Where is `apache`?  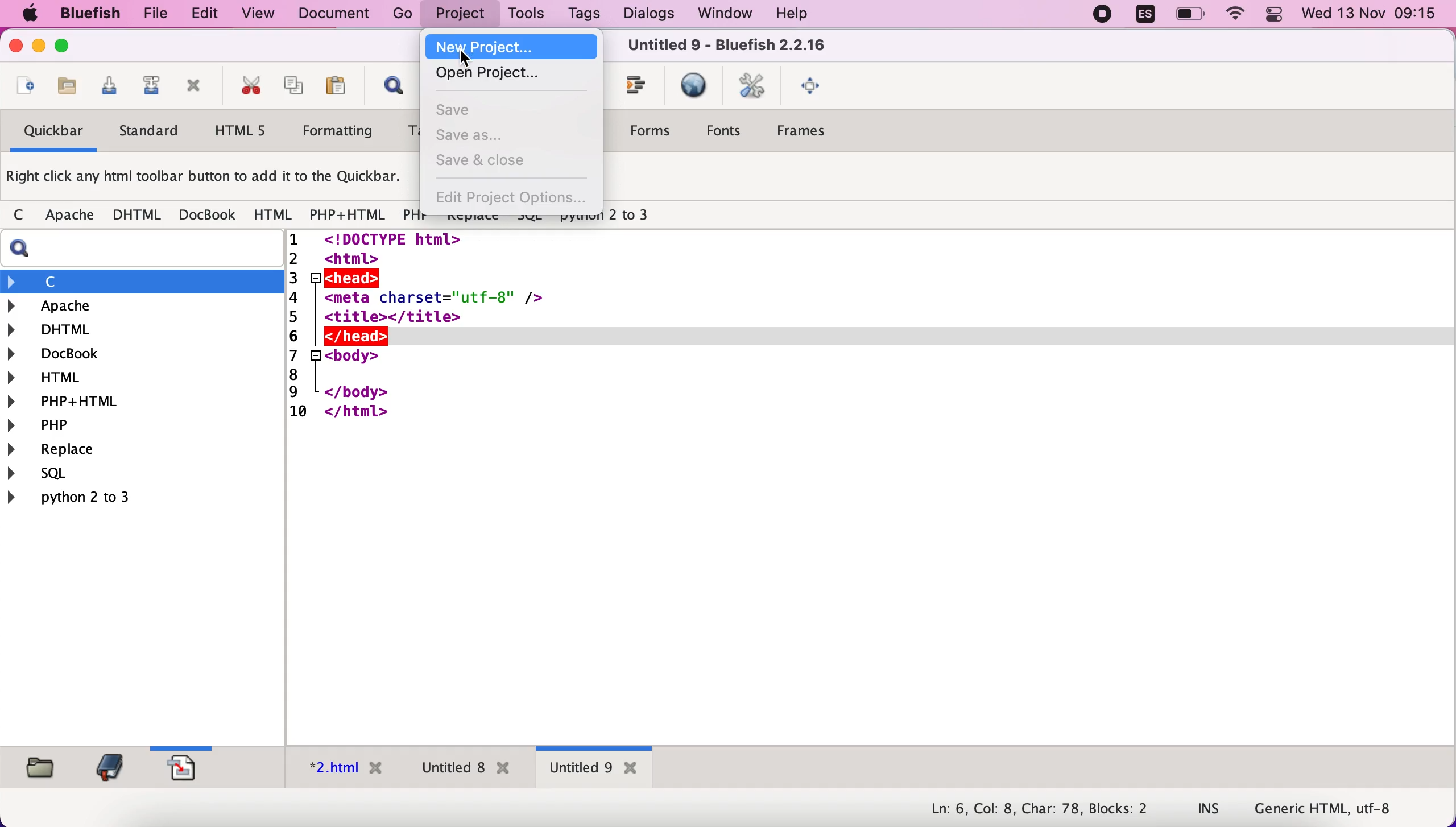 apache is located at coordinates (144, 306).